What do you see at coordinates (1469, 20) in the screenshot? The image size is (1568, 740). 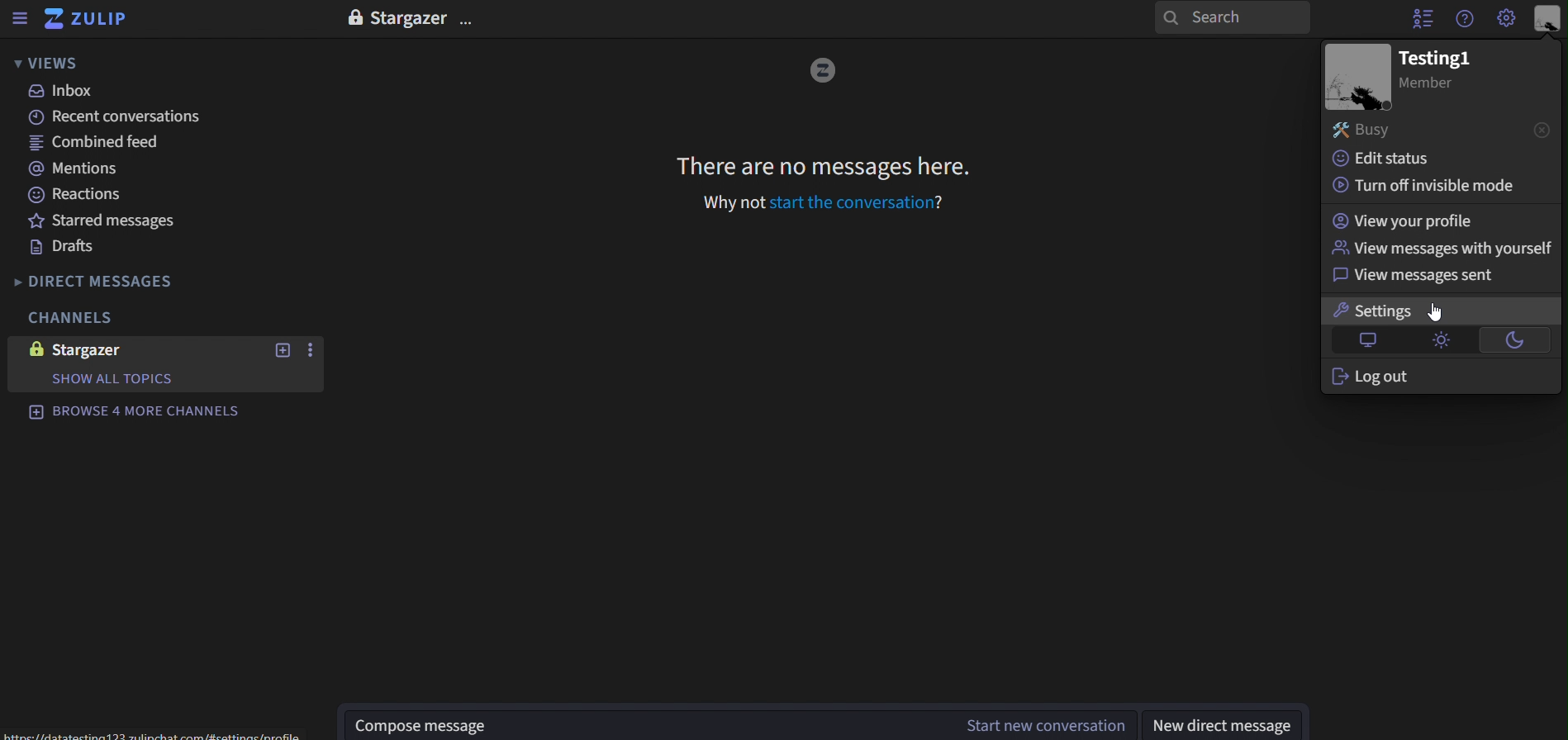 I see `help` at bounding box center [1469, 20].